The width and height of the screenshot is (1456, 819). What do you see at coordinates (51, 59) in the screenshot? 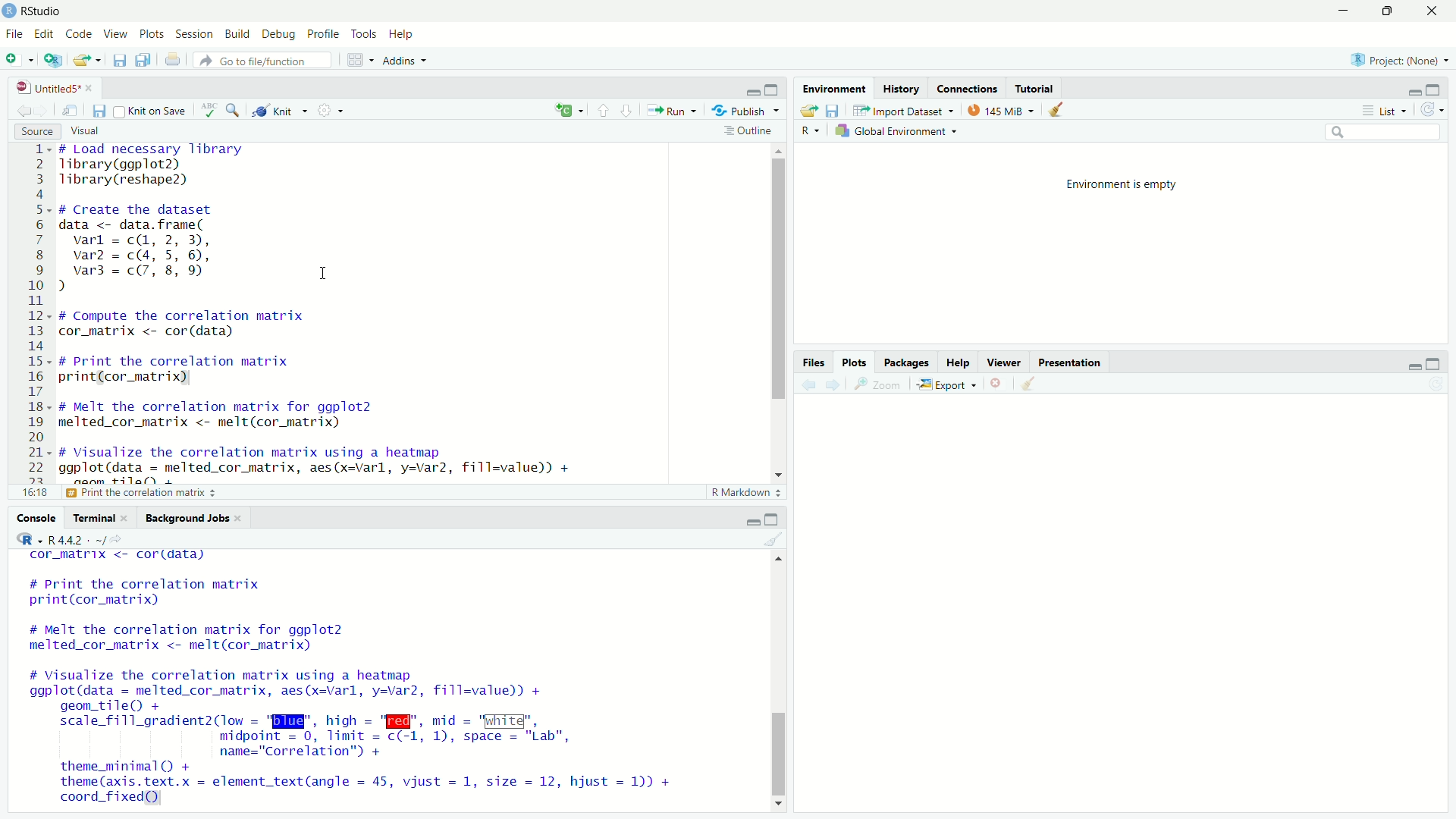
I see `create new project` at bounding box center [51, 59].